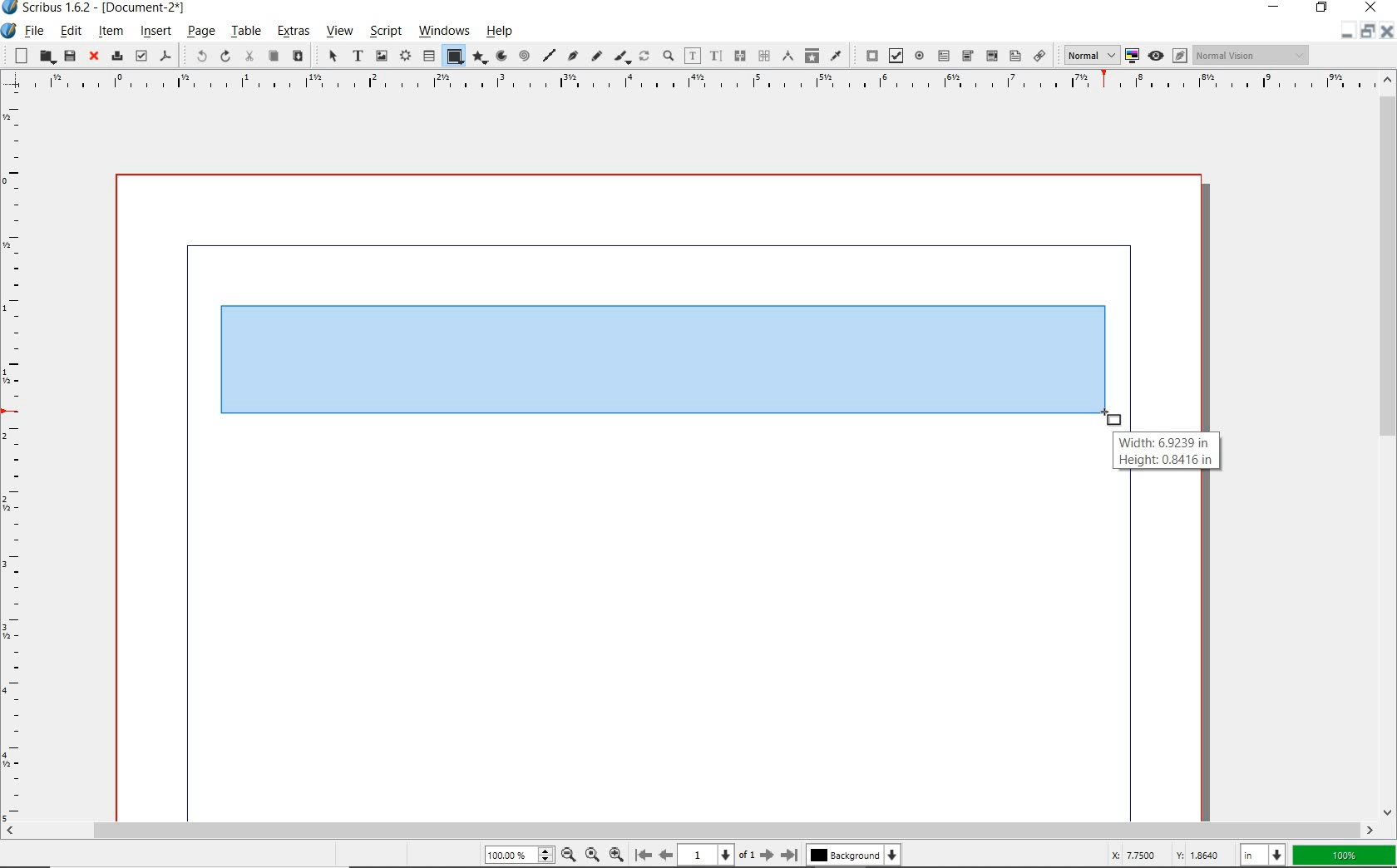 The image size is (1397, 868). Describe the element at coordinates (45, 57) in the screenshot. I see `open` at that location.